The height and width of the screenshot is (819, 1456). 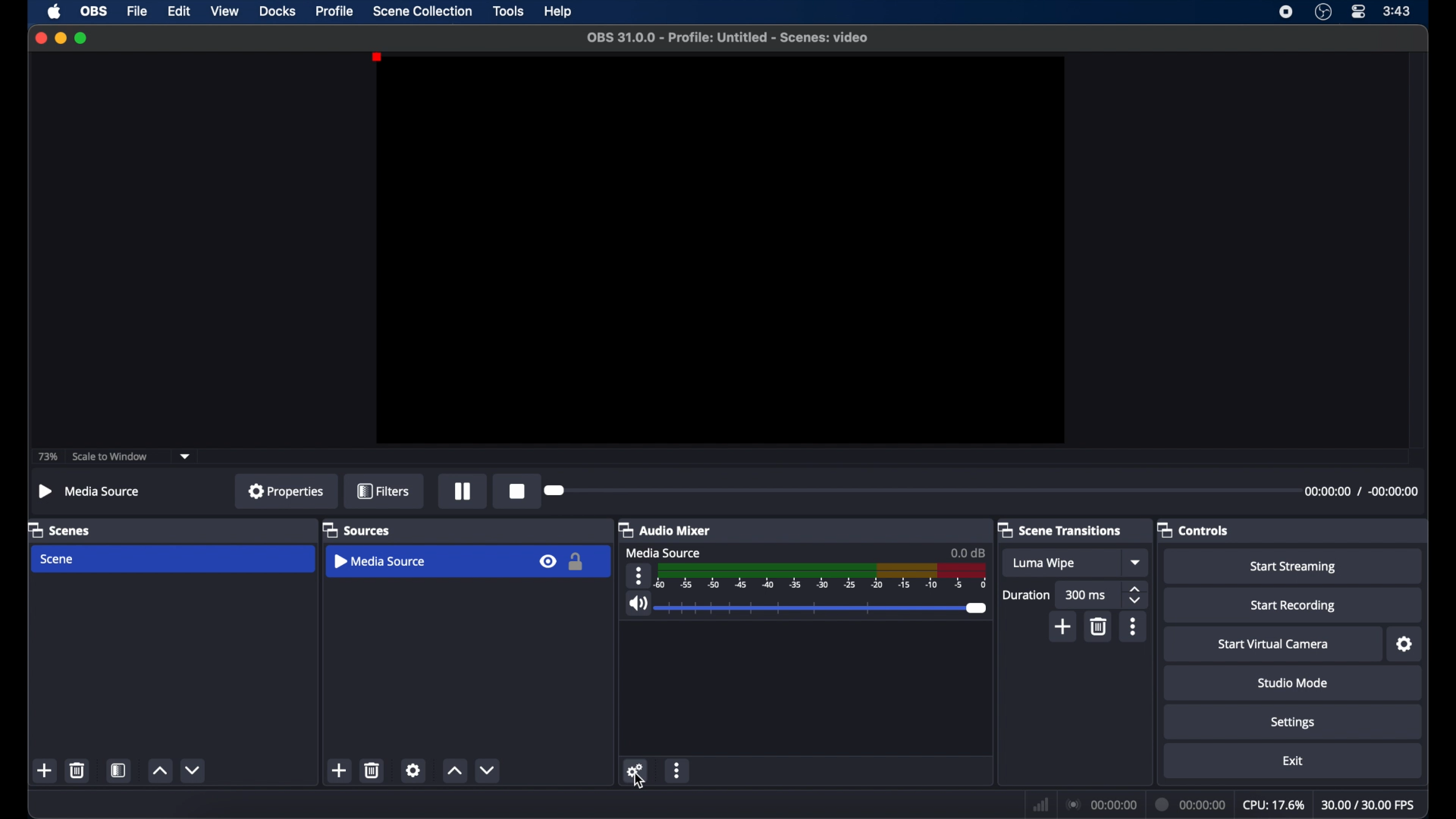 I want to click on Luma wipe, so click(x=1043, y=563).